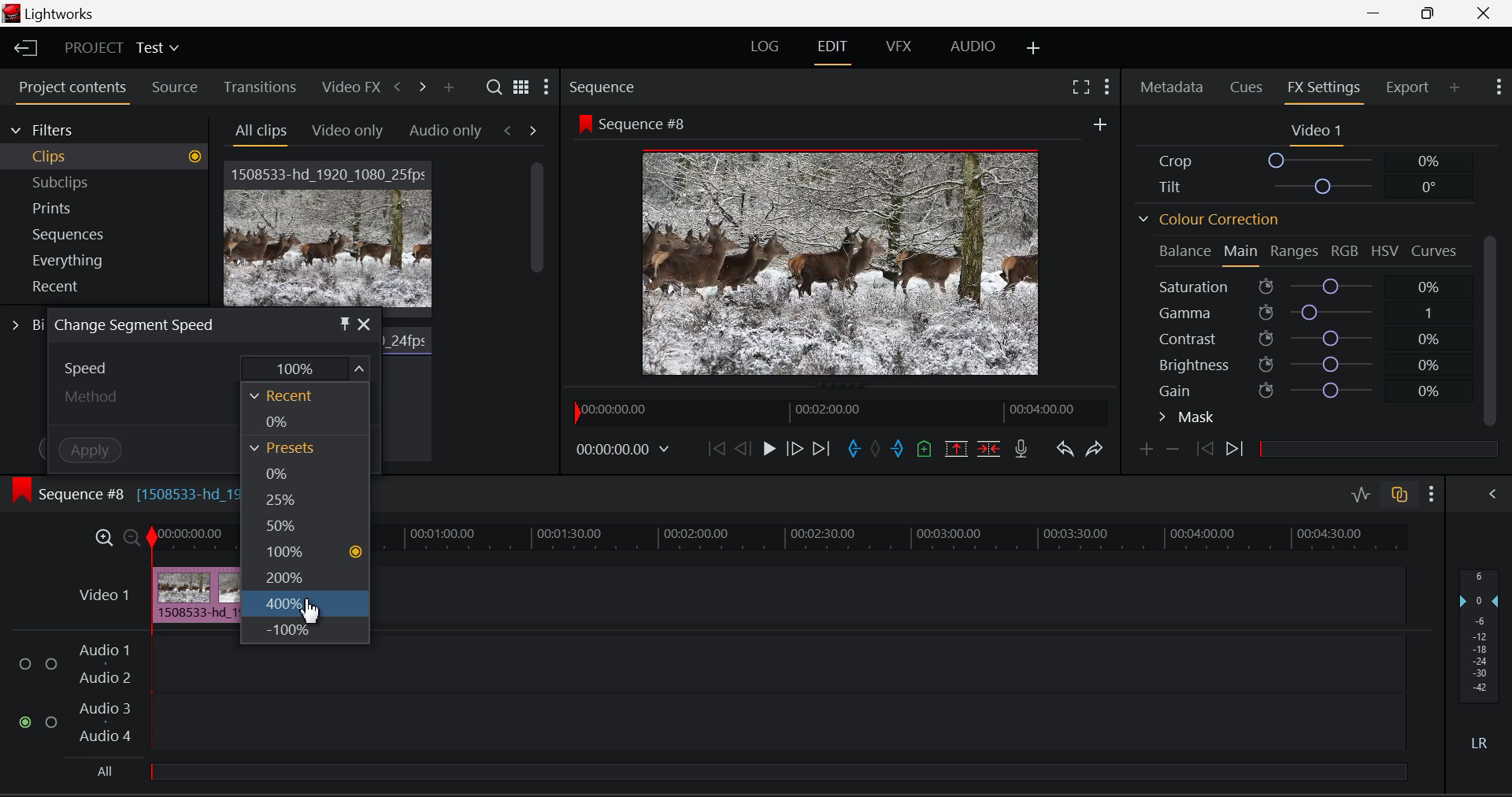 Image resolution: width=1512 pixels, height=797 pixels. What do you see at coordinates (303, 606) in the screenshot?
I see `Cursor on 400%` at bounding box center [303, 606].